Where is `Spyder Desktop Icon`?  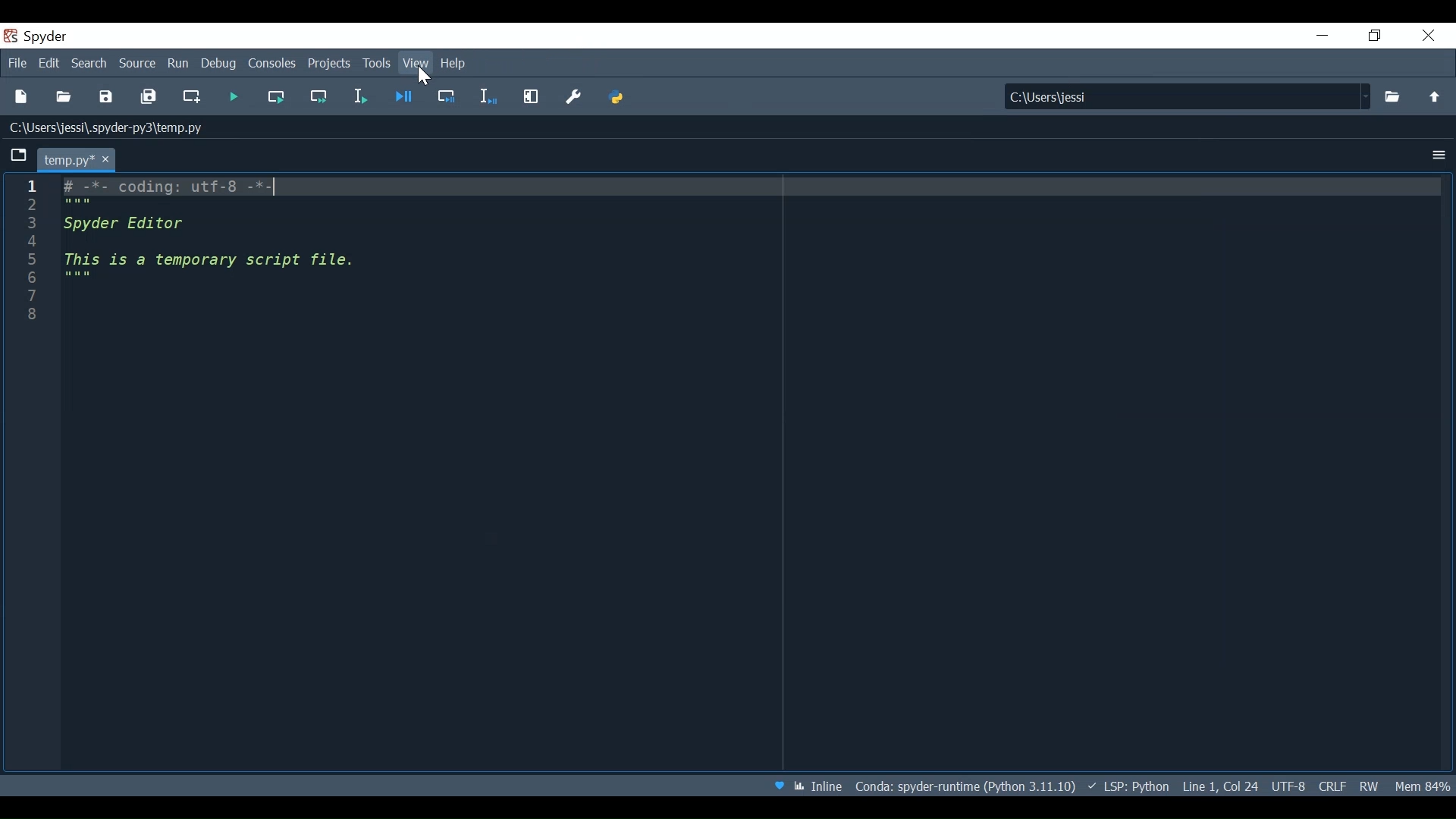 Spyder Desktop Icon is located at coordinates (11, 35).